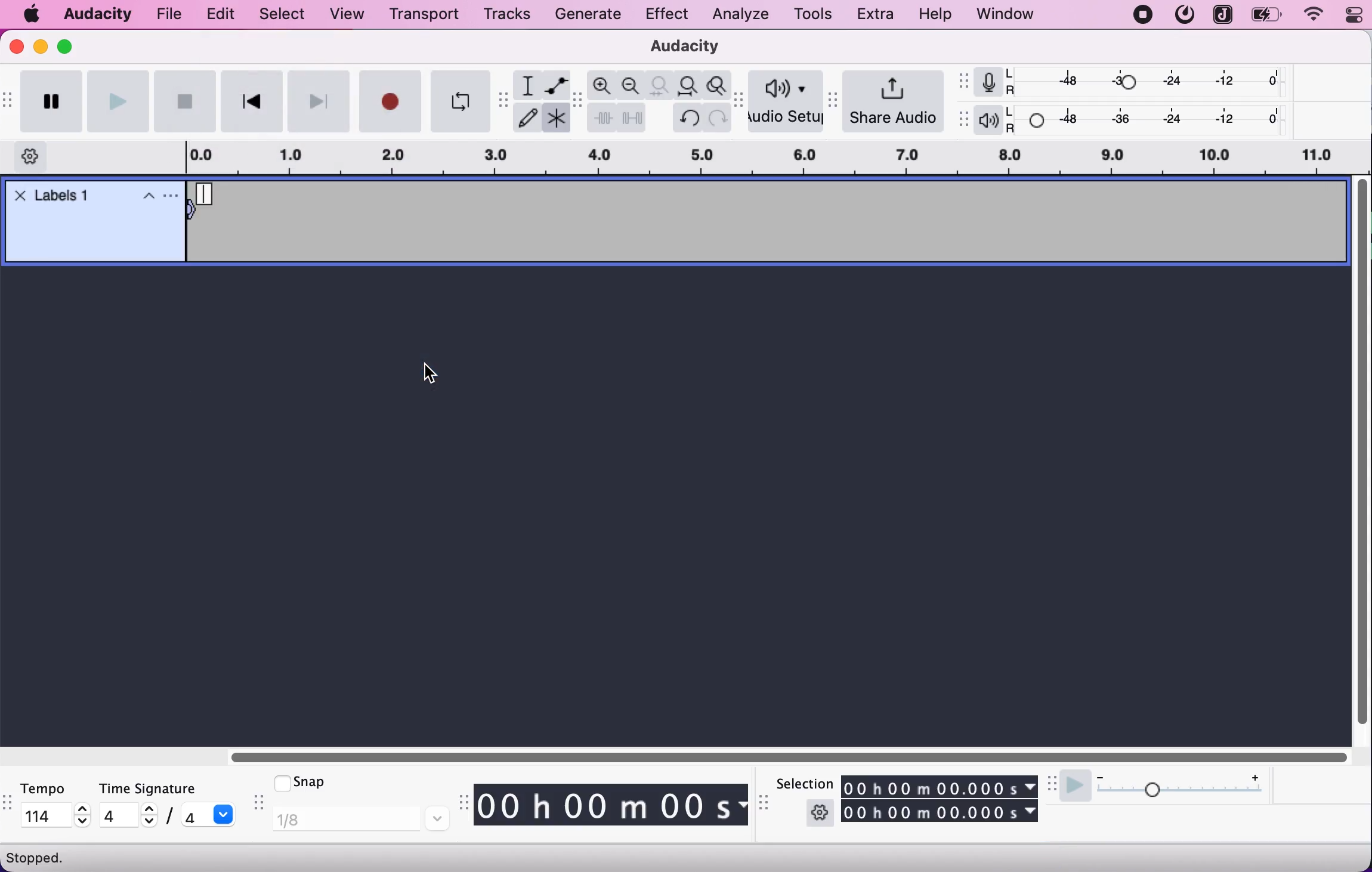 Image resolution: width=1372 pixels, height=872 pixels. What do you see at coordinates (987, 120) in the screenshot?
I see `playback meter` at bounding box center [987, 120].